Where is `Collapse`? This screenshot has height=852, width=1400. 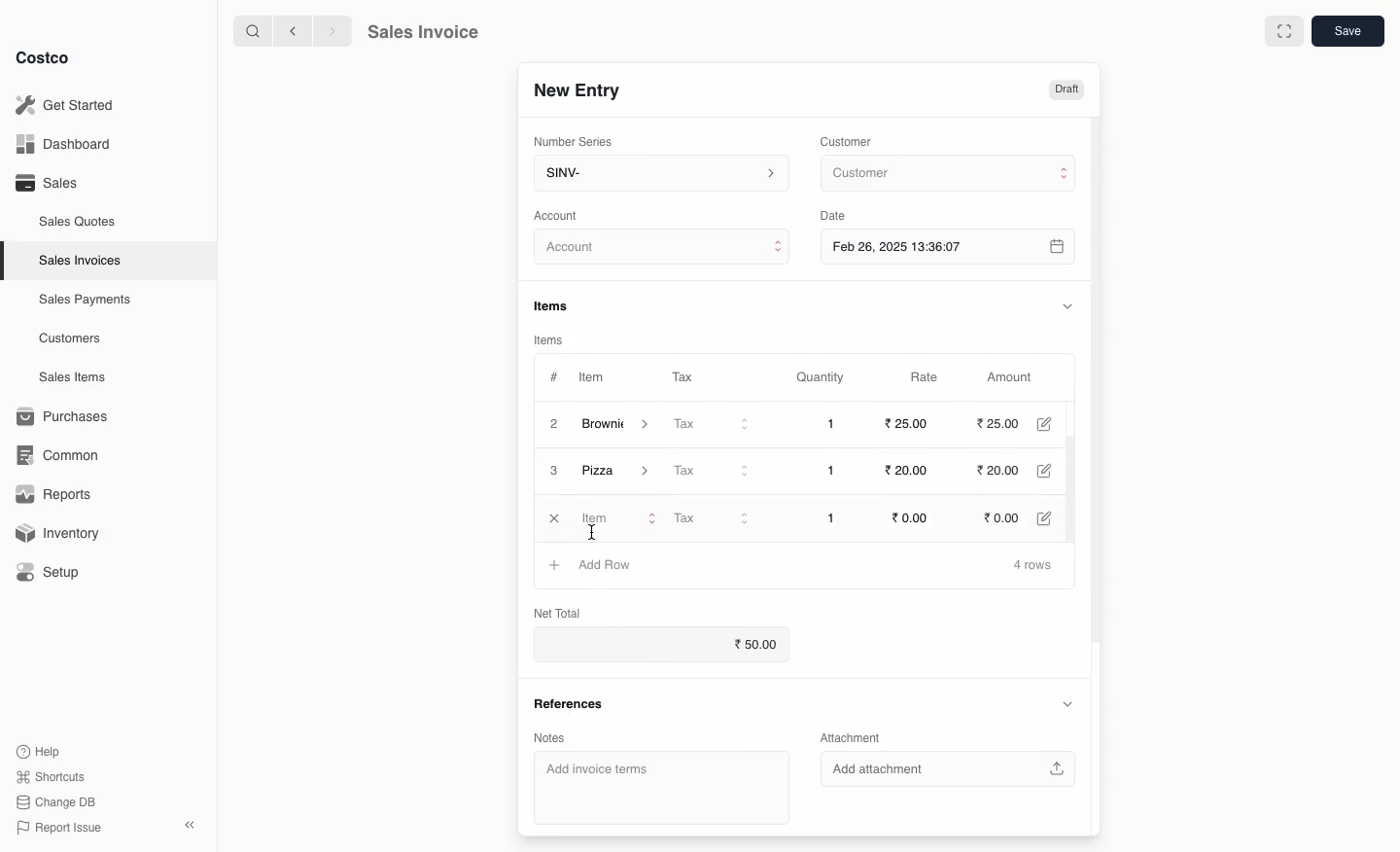
Collapse is located at coordinates (192, 826).